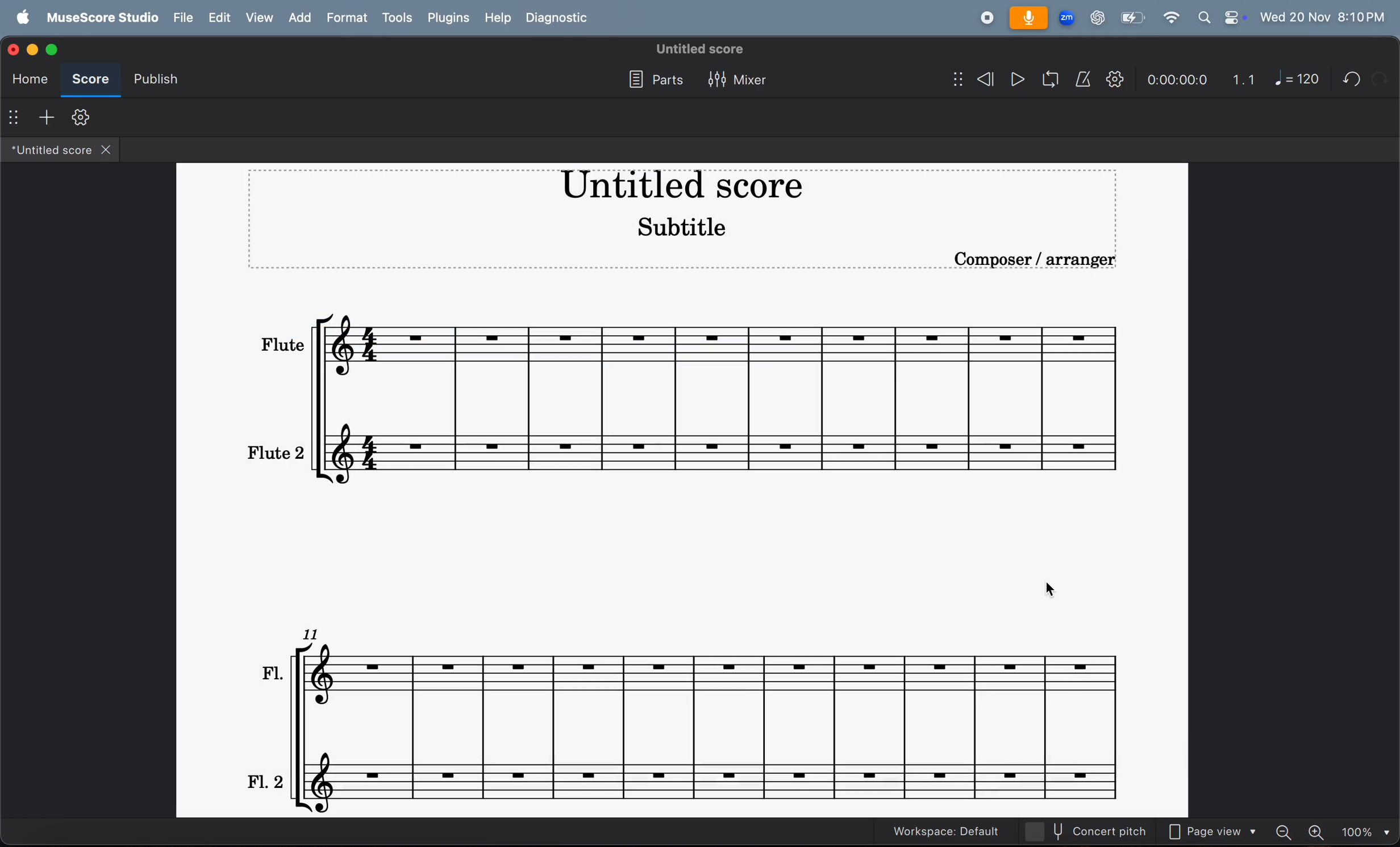 The height and width of the screenshot is (847, 1400). Describe the element at coordinates (1239, 79) in the screenshot. I see `1.1` at that location.